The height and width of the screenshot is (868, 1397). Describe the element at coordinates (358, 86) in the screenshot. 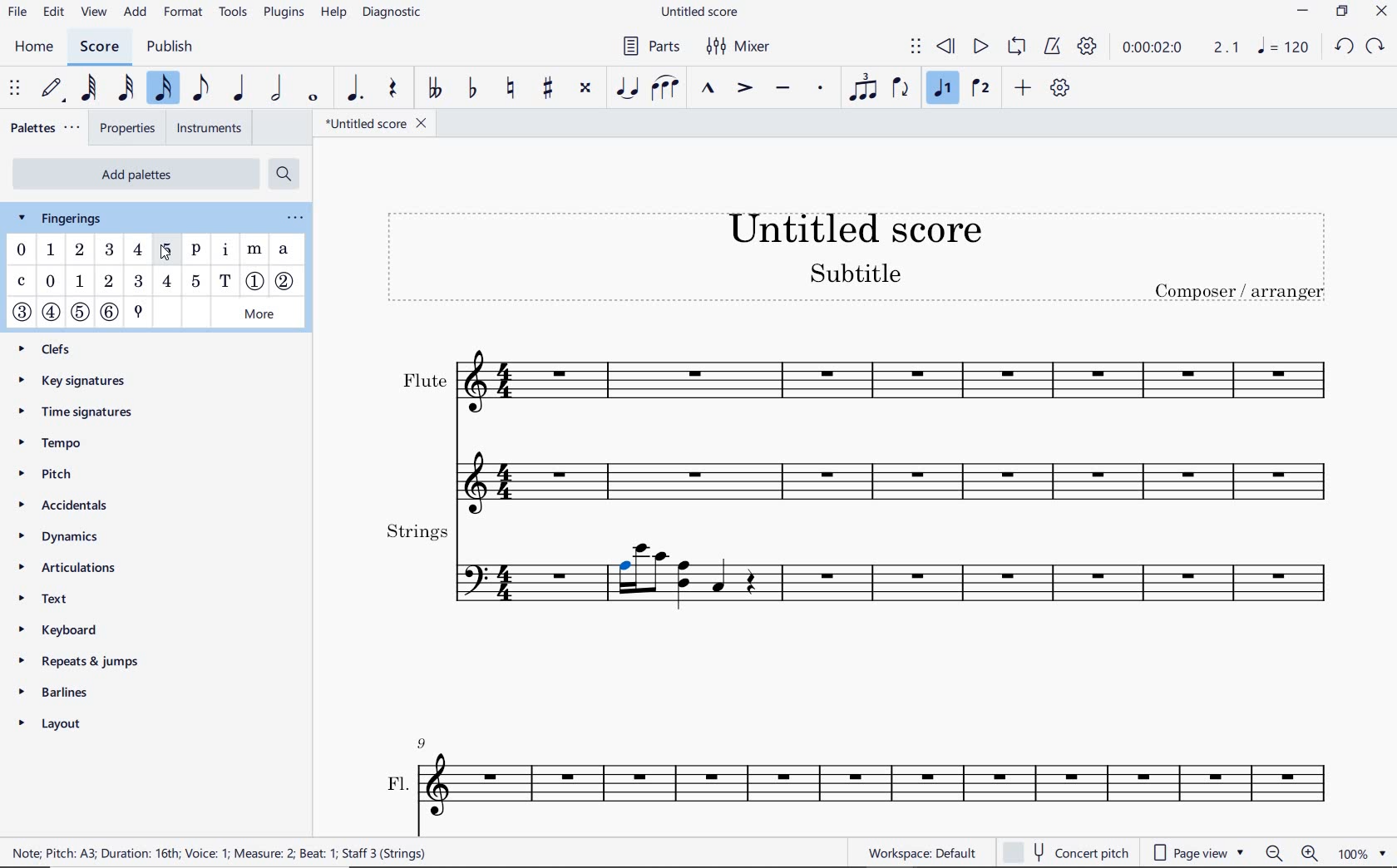

I see `augmentation dot` at that location.